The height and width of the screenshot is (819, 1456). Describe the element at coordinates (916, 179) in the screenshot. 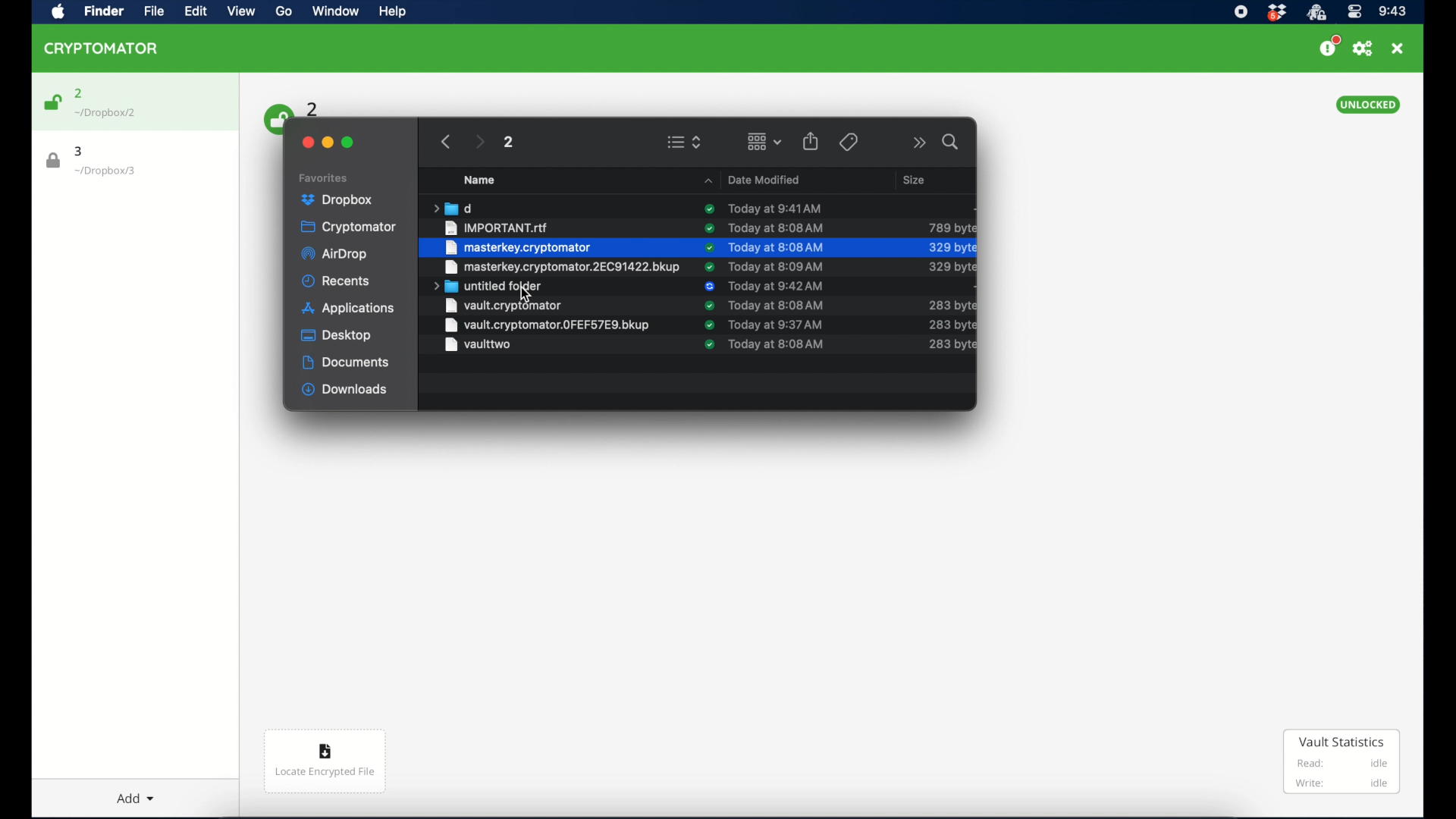

I see `size` at that location.